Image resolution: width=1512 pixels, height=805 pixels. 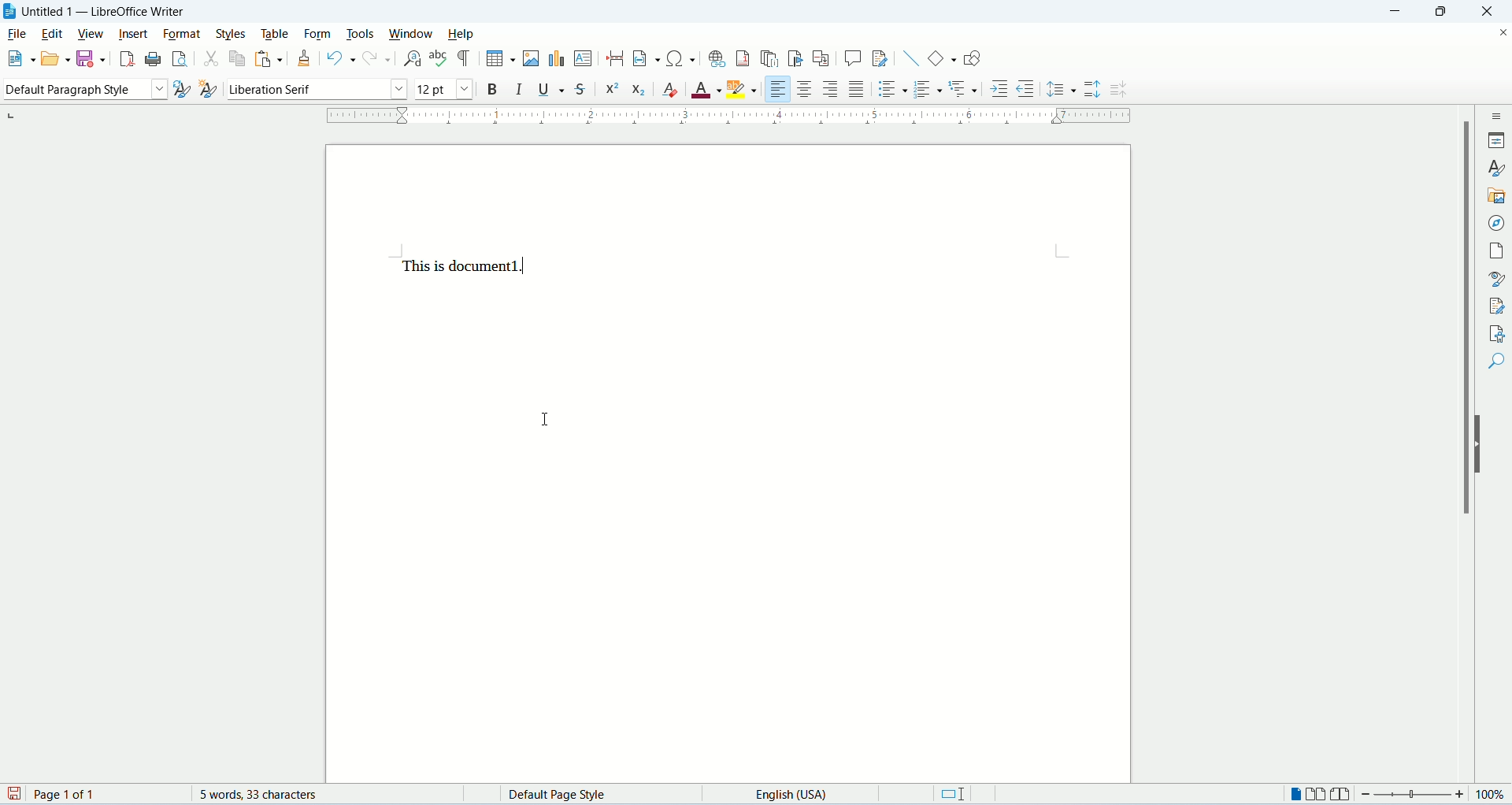 What do you see at coordinates (1495, 250) in the screenshot?
I see `pages` at bounding box center [1495, 250].